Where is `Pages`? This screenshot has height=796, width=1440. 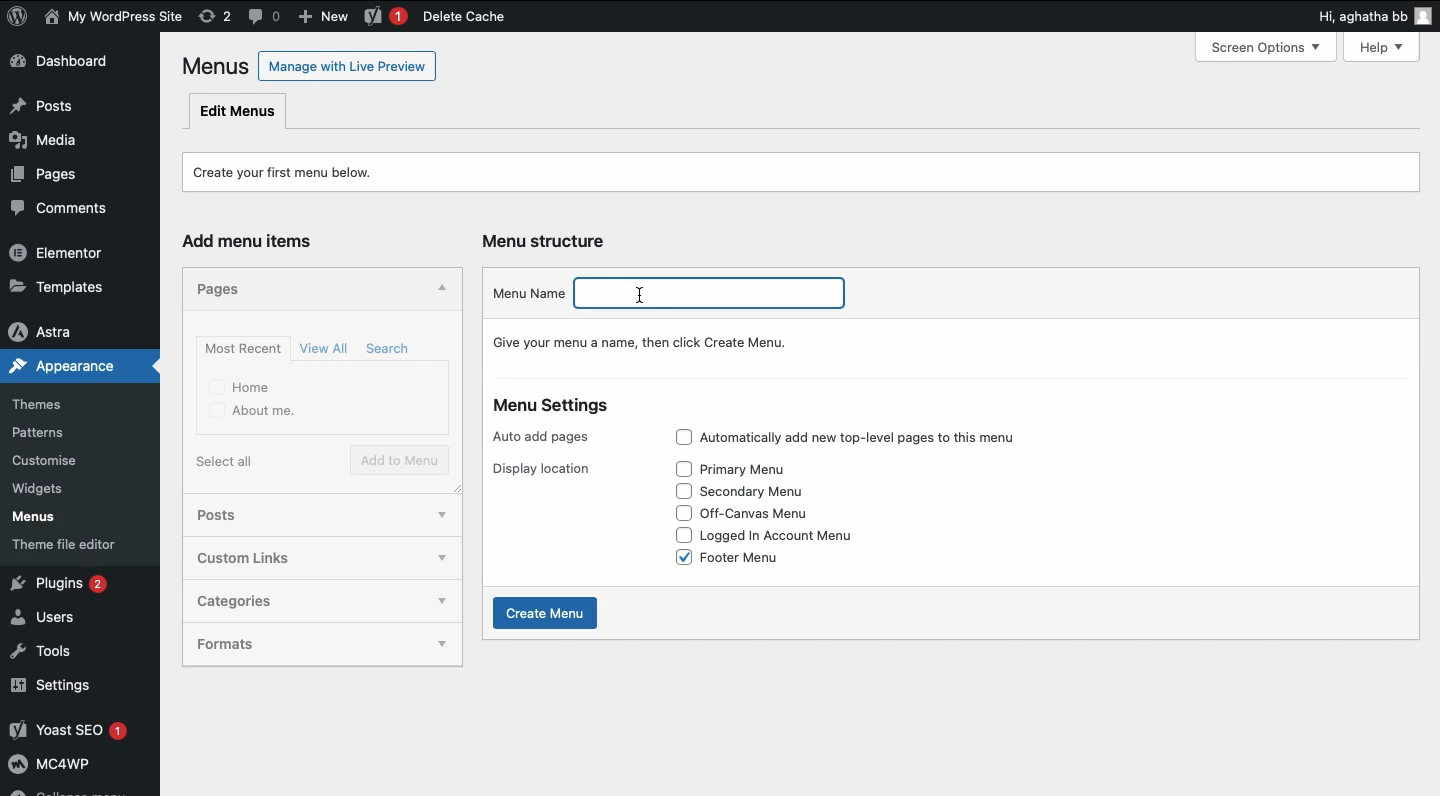
Pages is located at coordinates (215, 289).